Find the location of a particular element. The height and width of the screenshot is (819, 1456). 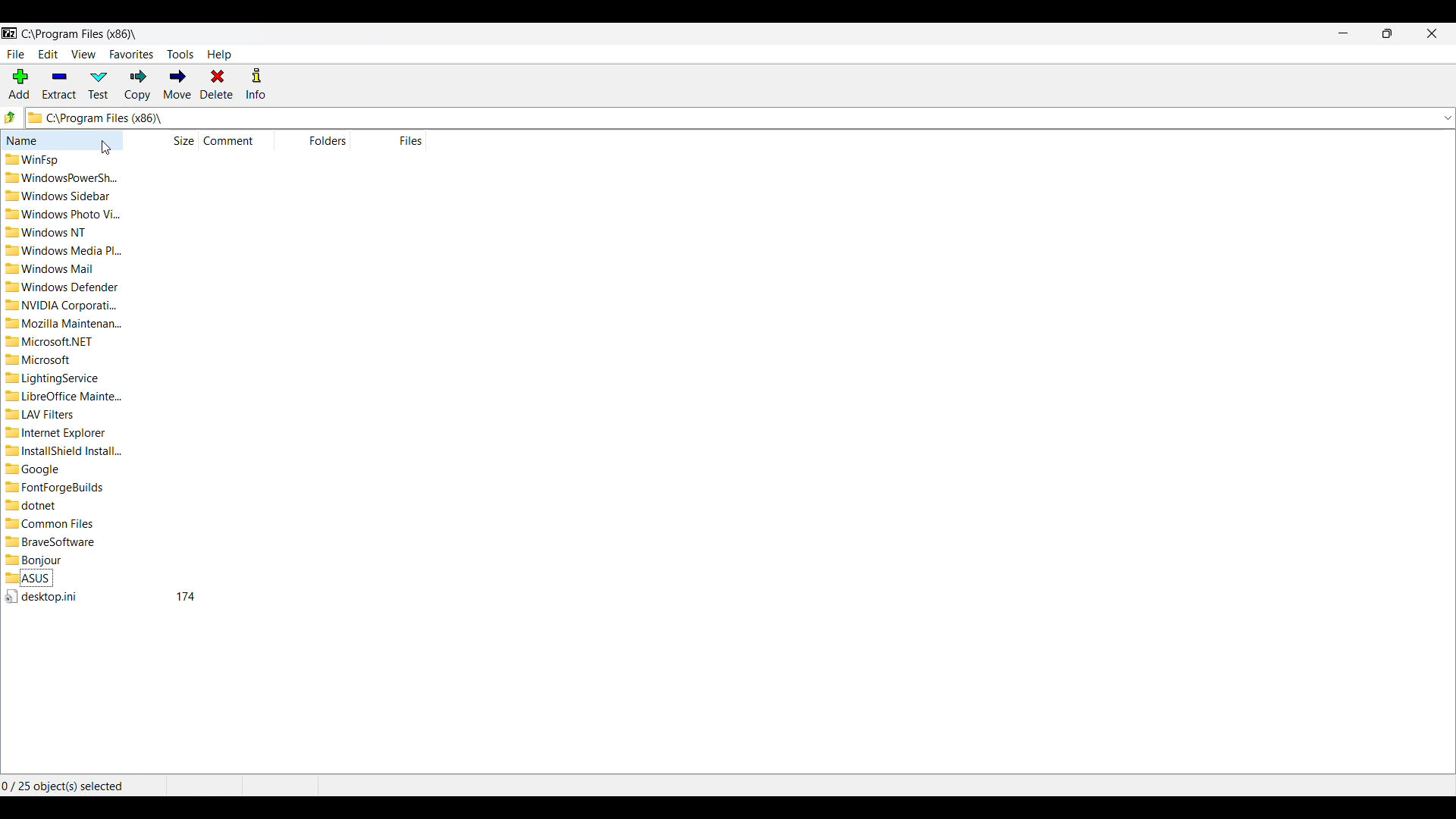

Copy is located at coordinates (137, 86).